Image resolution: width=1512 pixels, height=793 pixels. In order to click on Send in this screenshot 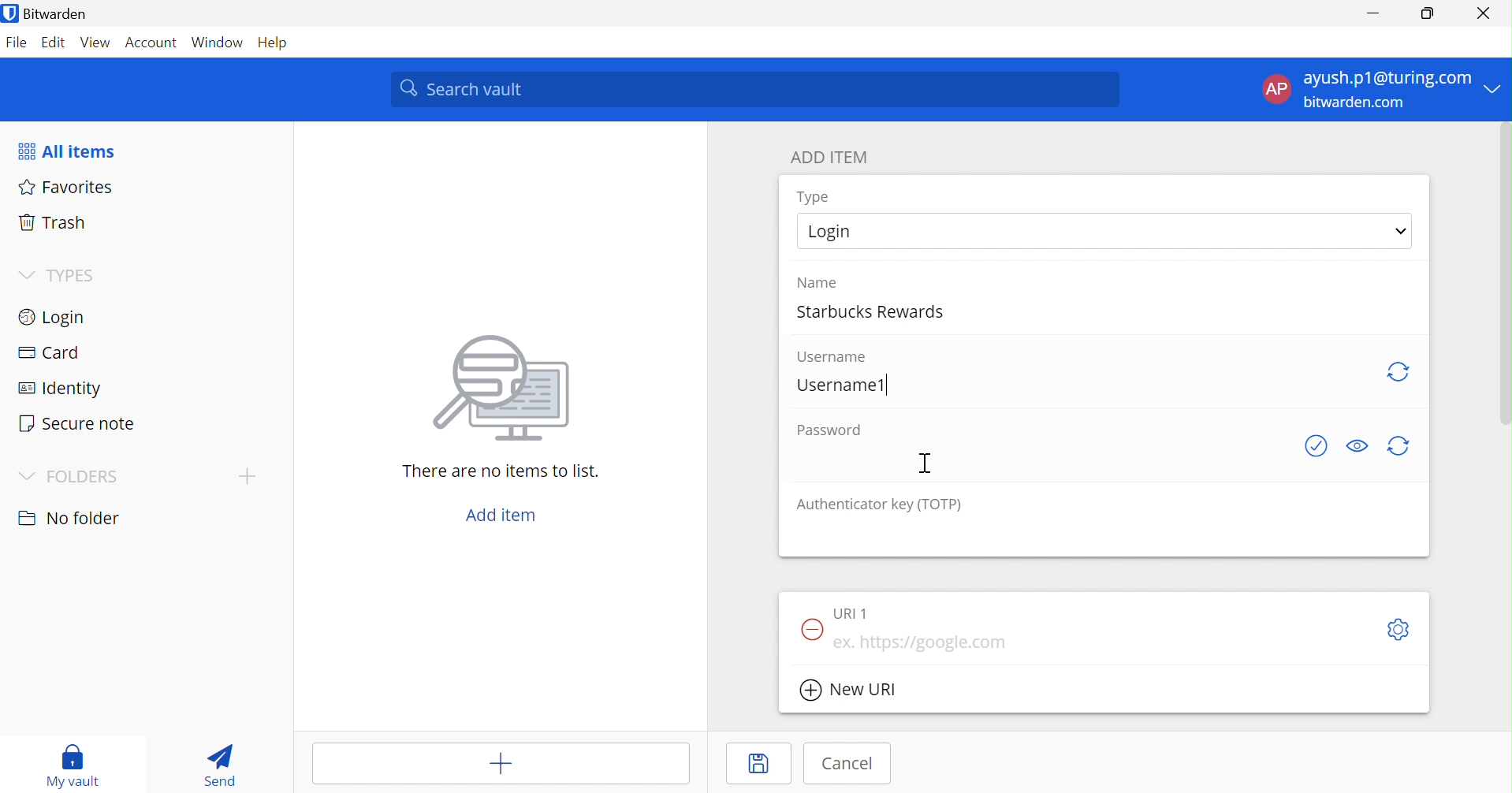, I will do `click(224, 764)`.